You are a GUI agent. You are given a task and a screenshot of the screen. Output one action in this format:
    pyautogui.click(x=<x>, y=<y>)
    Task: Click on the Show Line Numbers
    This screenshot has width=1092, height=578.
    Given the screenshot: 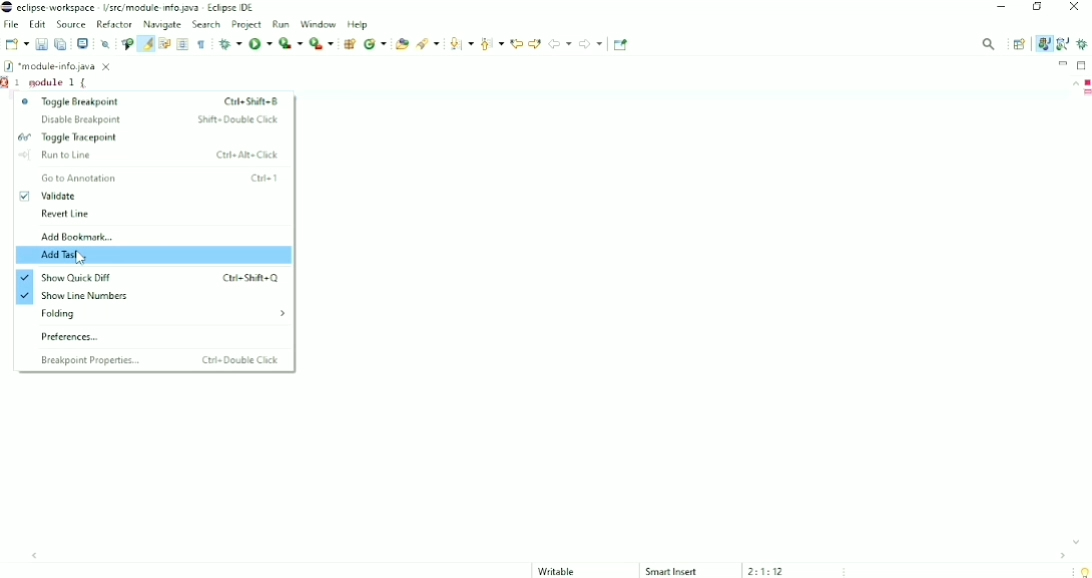 What is the action you would take?
    pyautogui.click(x=81, y=296)
    